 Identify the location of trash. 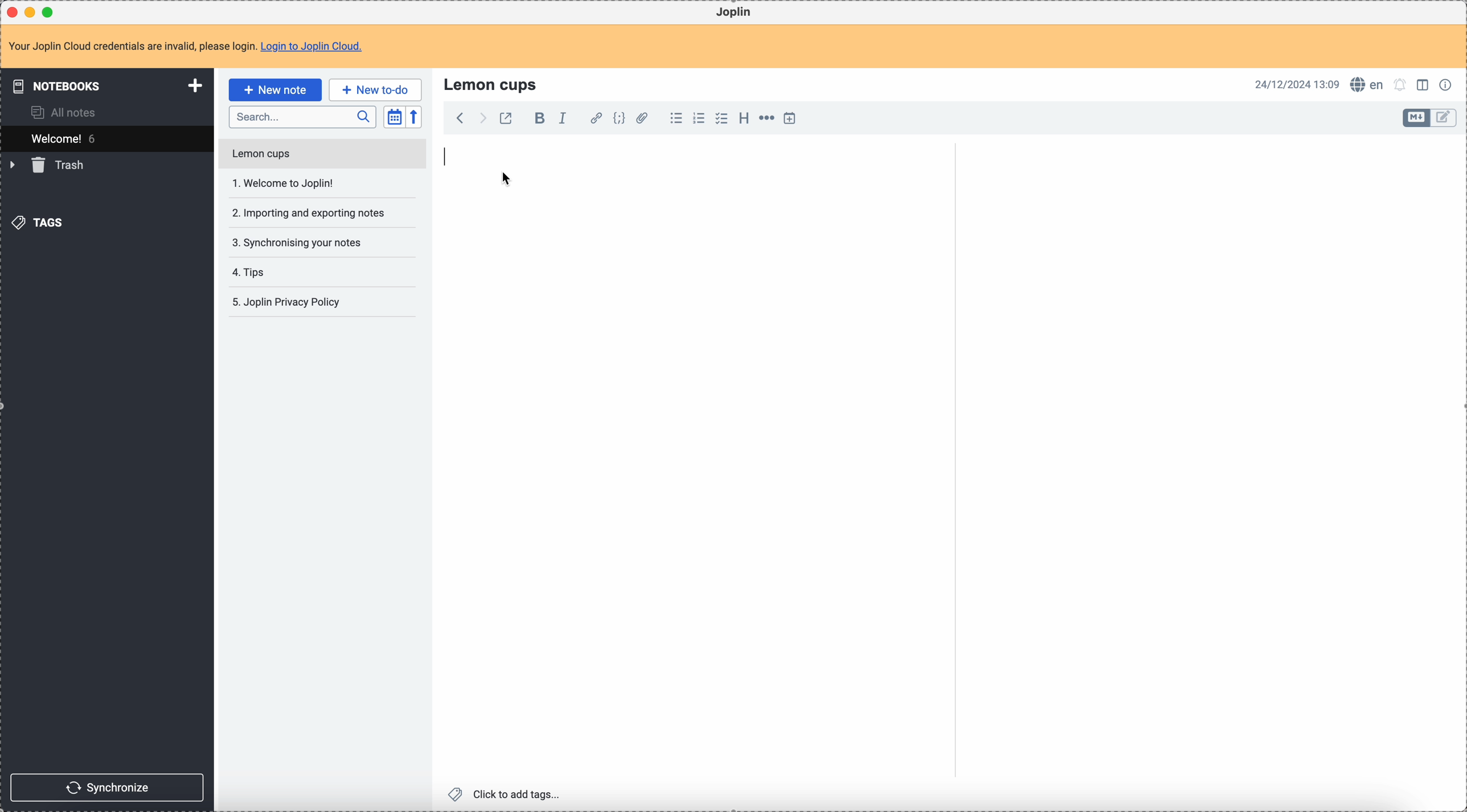
(49, 165).